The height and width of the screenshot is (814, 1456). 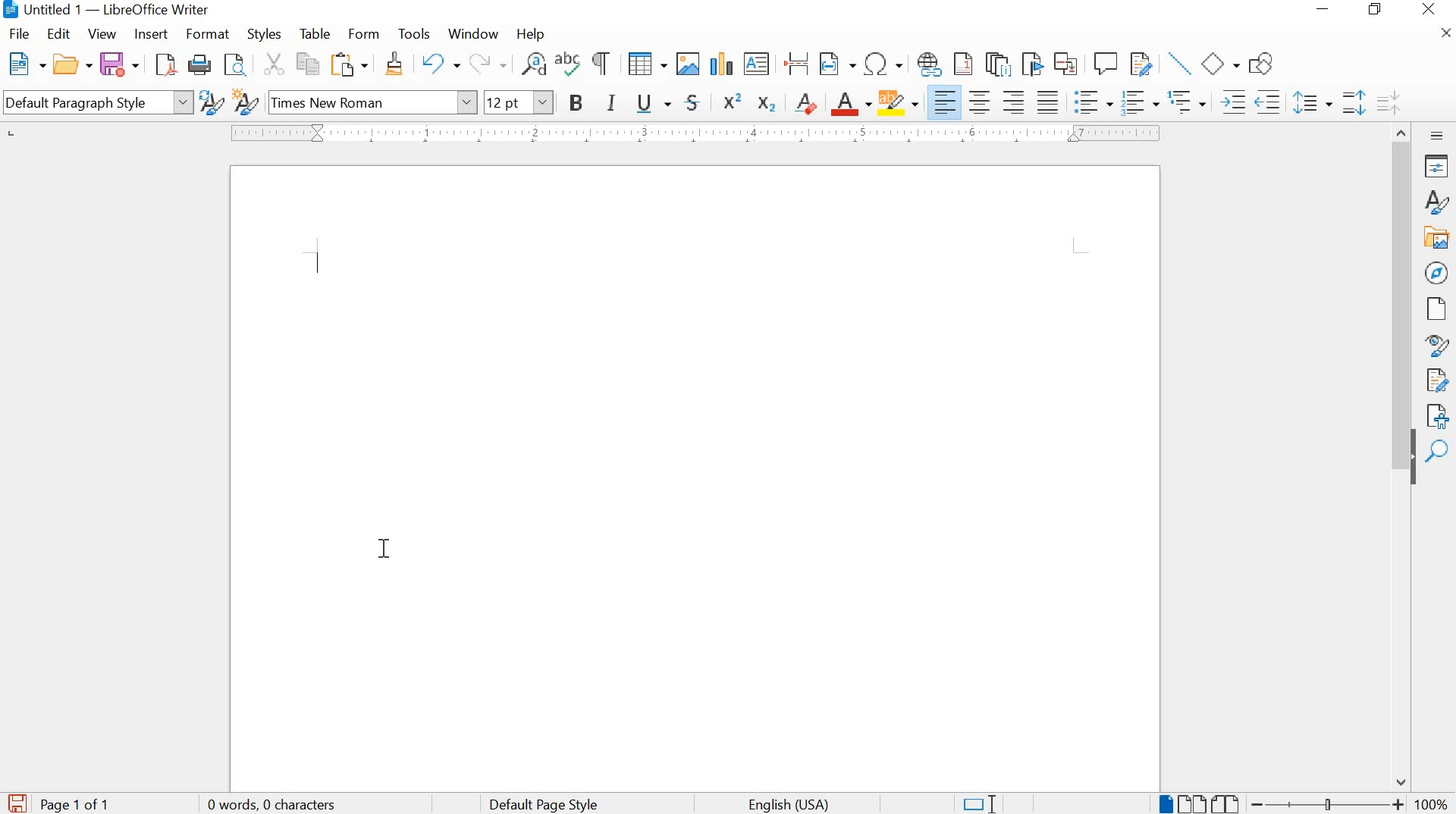 What do you see at coordinates (1047, 99) in the screenshot?
I see `JUSTIFIED` at bounding box center [1047, 99].